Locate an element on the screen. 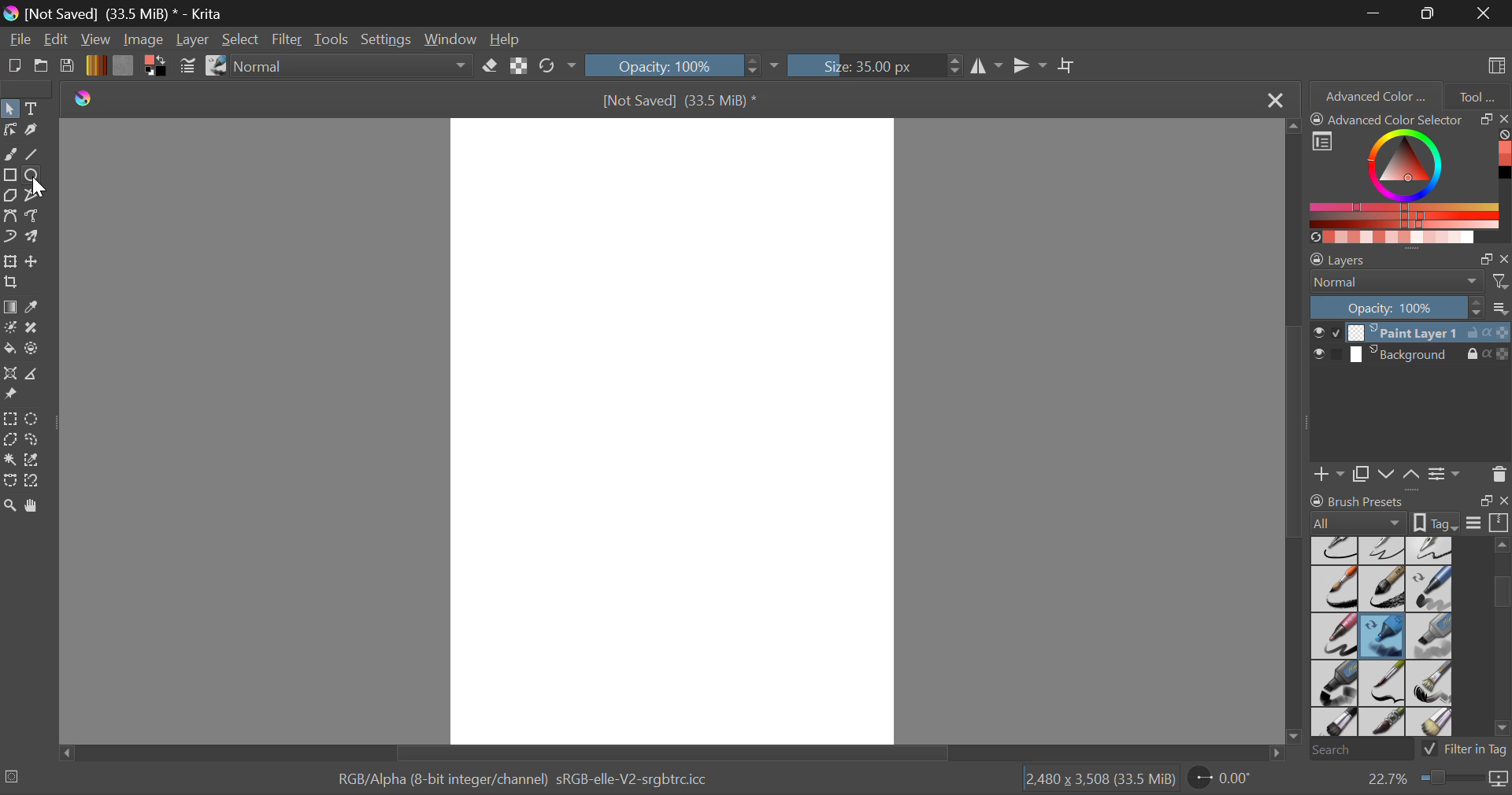 Image resolution: width=1512 pixels, height=795 pixels. Copy is located at coordinates (1364, 471).